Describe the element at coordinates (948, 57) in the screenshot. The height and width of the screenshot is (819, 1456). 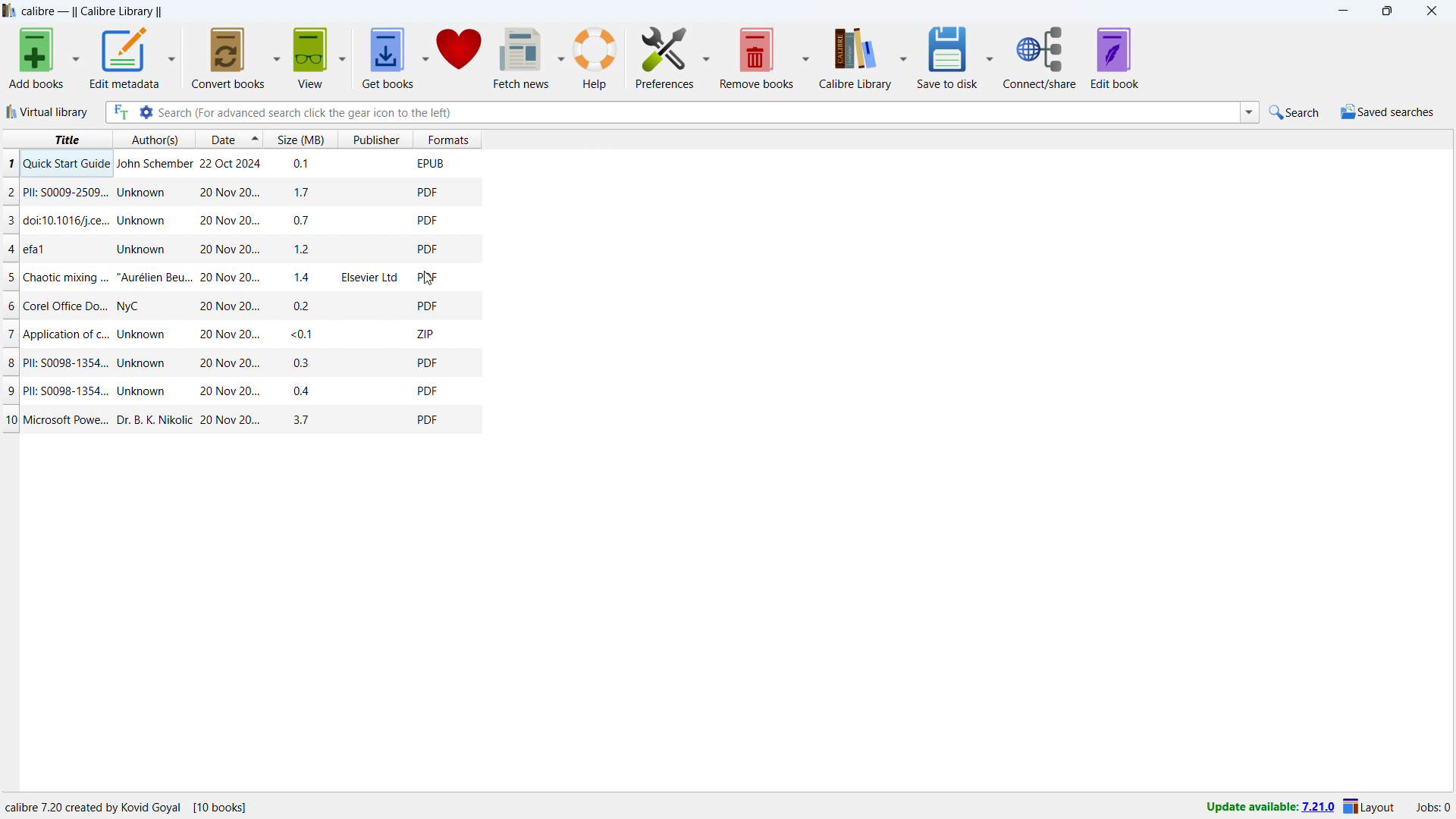
I see `save to disk` at that location.